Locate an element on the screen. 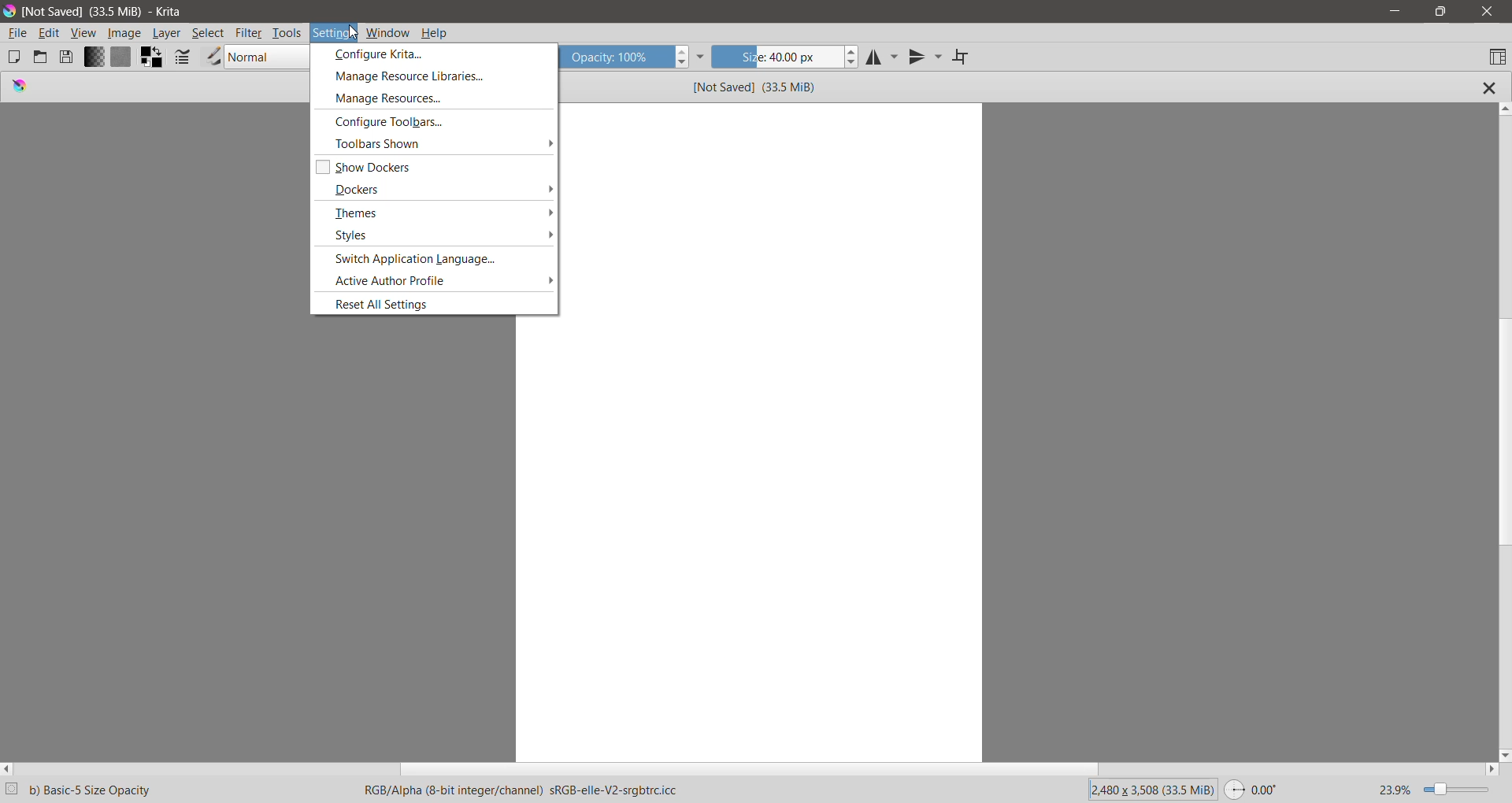 This screenshot has width=1512, height=803. Open an Existing Document is located at coordinates (40, 57).